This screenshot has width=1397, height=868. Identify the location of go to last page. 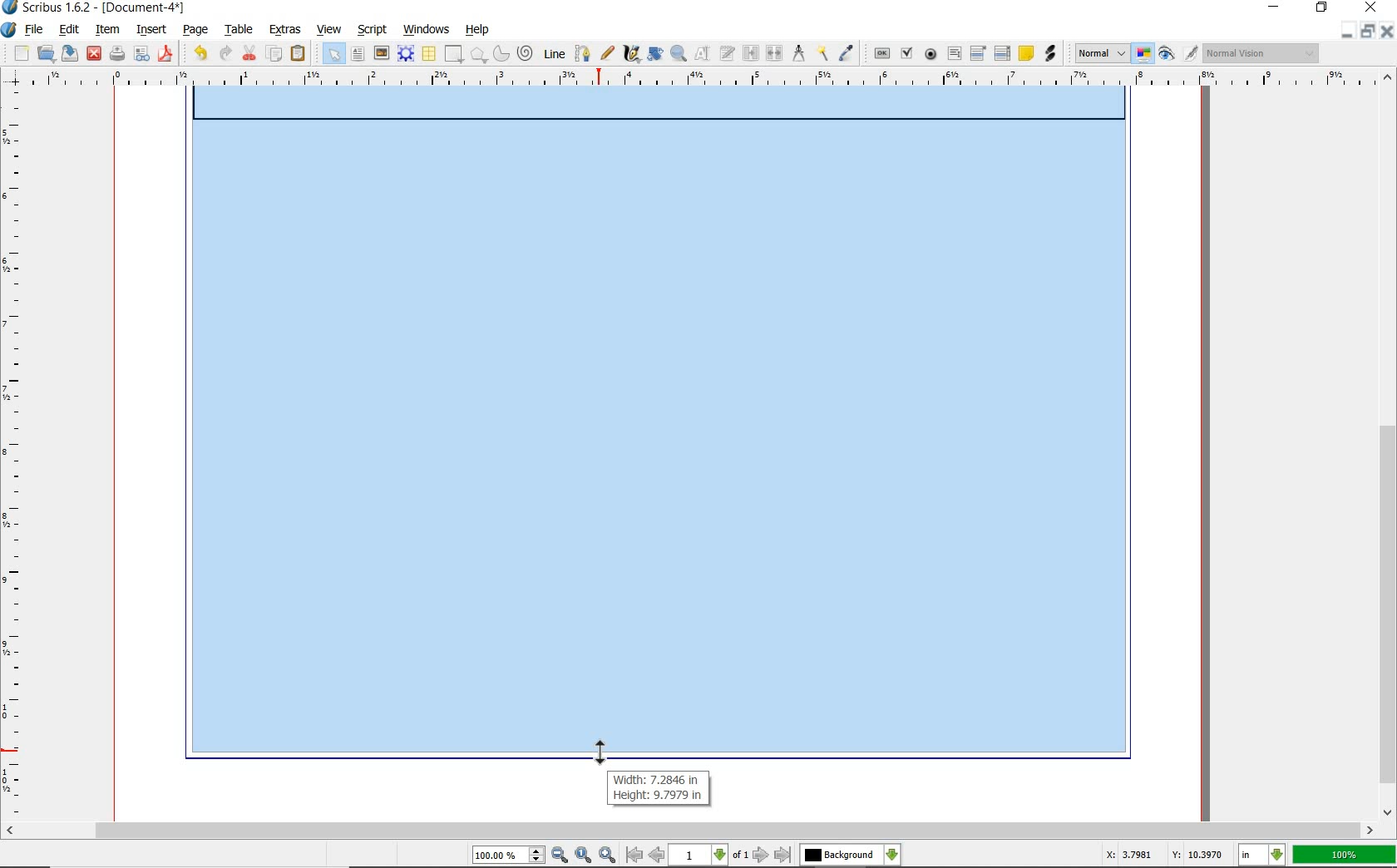
(782, 855).